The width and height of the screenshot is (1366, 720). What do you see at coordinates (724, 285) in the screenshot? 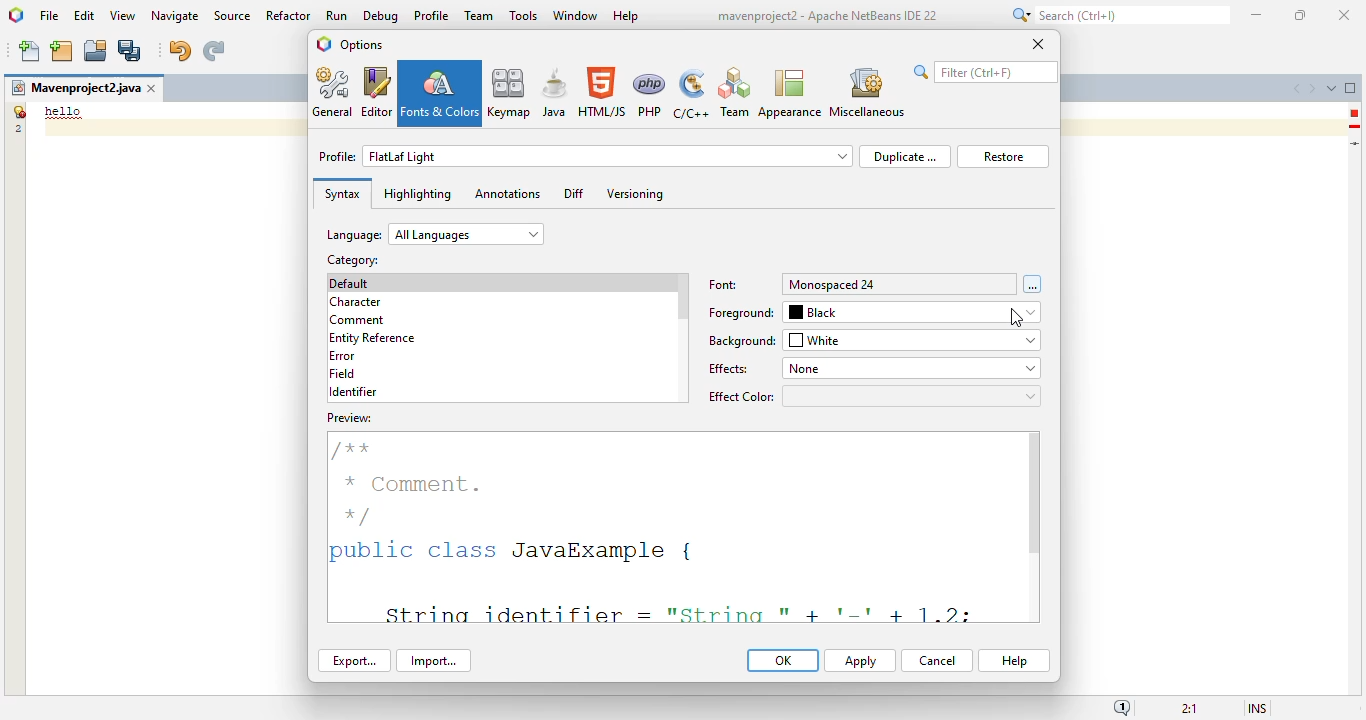
I see `font` at bounding box center [724, 285].